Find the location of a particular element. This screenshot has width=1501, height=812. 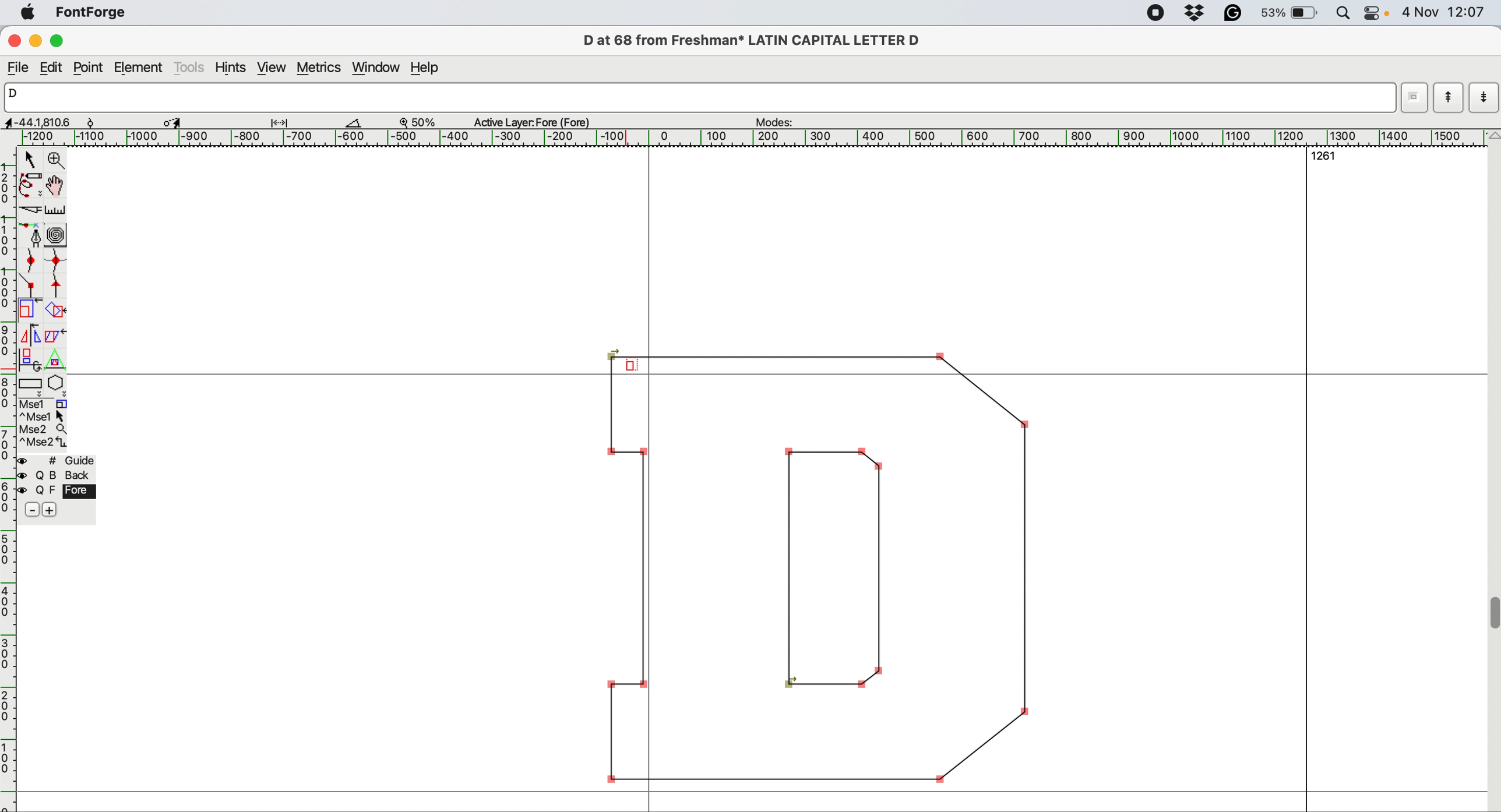

D letter with changed outline is located at coordinates (824, 576).